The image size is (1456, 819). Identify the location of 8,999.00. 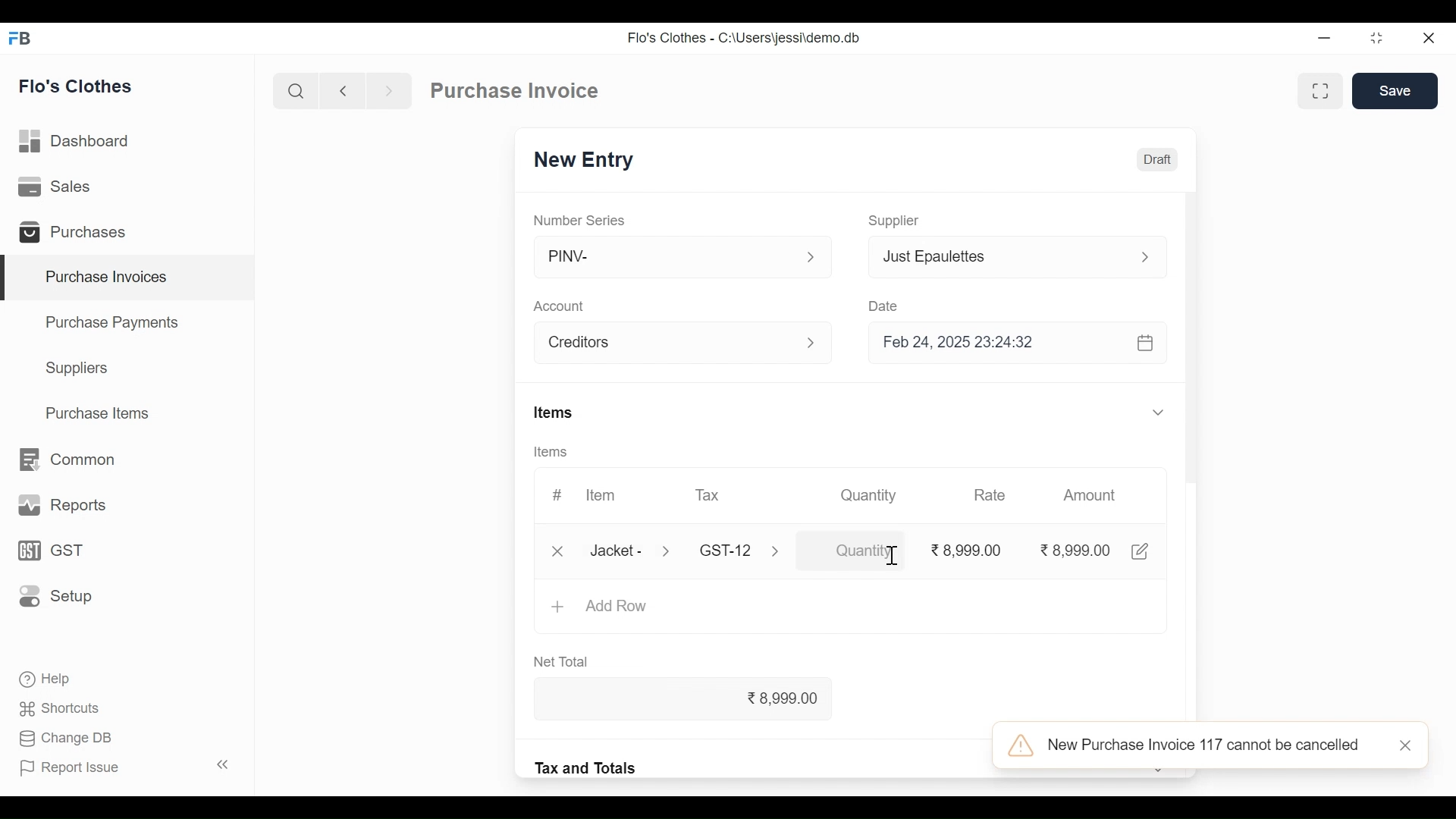
(967, 551).